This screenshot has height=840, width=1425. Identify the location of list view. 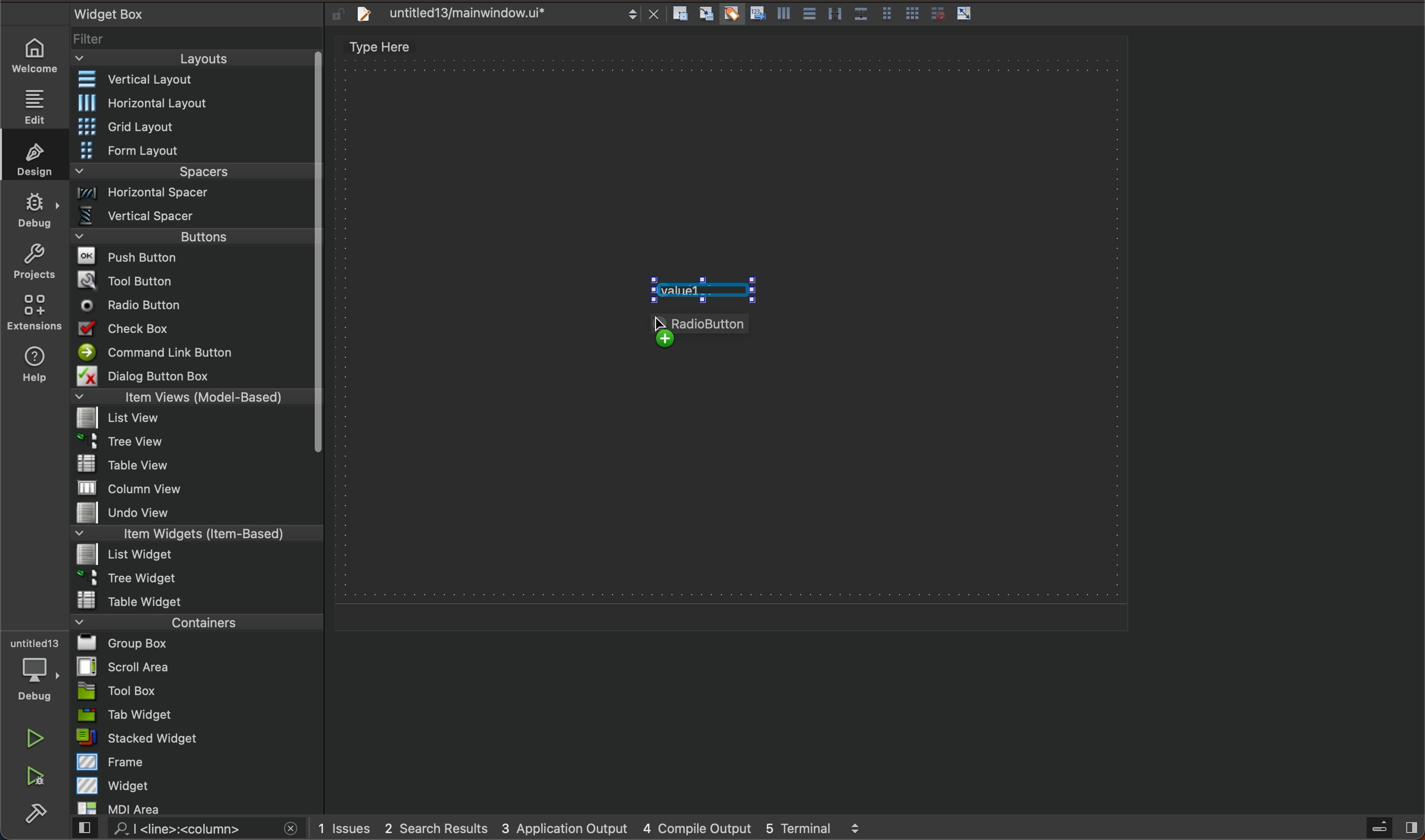
(190, 422).